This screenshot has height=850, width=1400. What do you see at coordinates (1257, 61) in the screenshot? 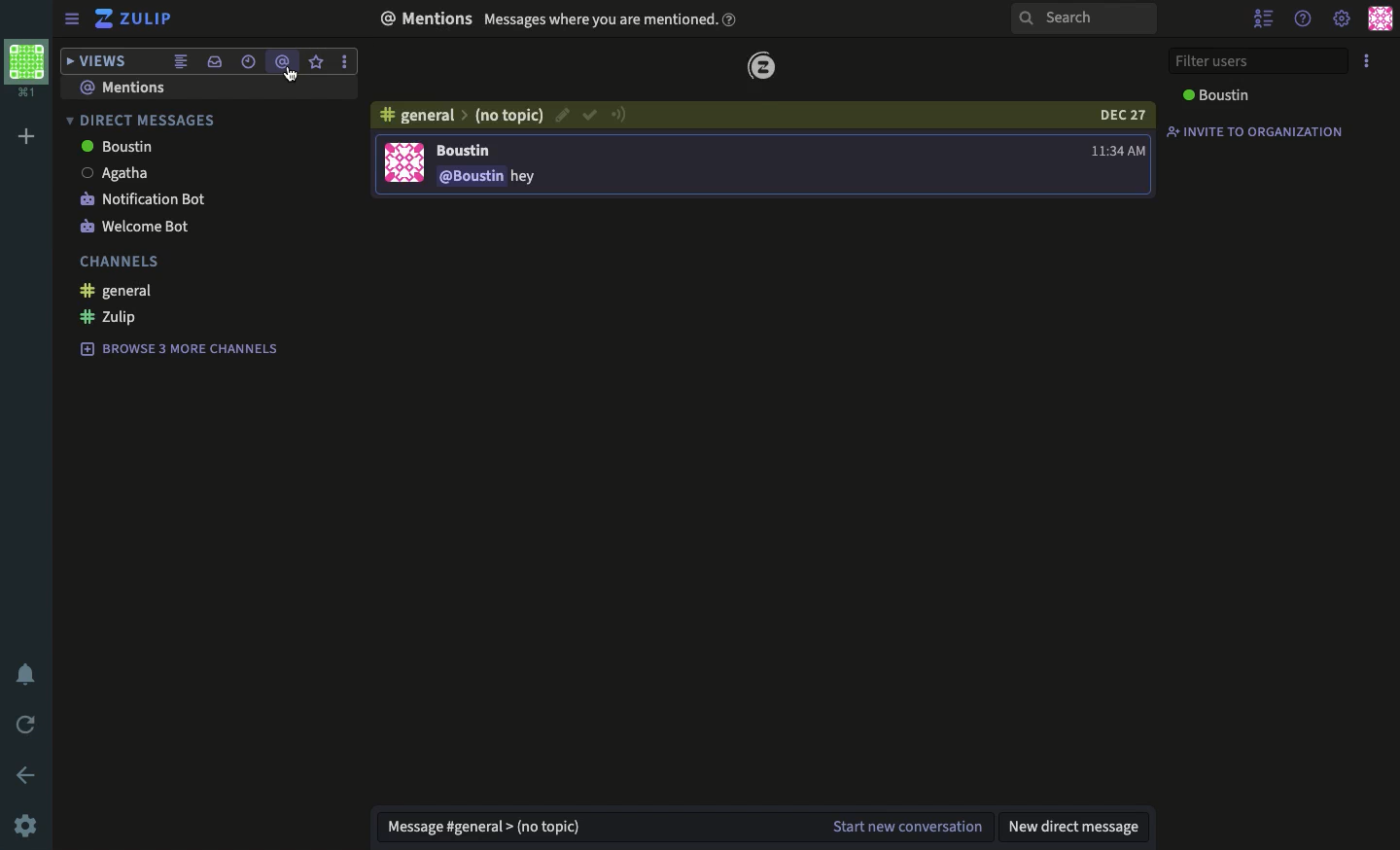
I see `filter users` at bounding box center [1257, 61].